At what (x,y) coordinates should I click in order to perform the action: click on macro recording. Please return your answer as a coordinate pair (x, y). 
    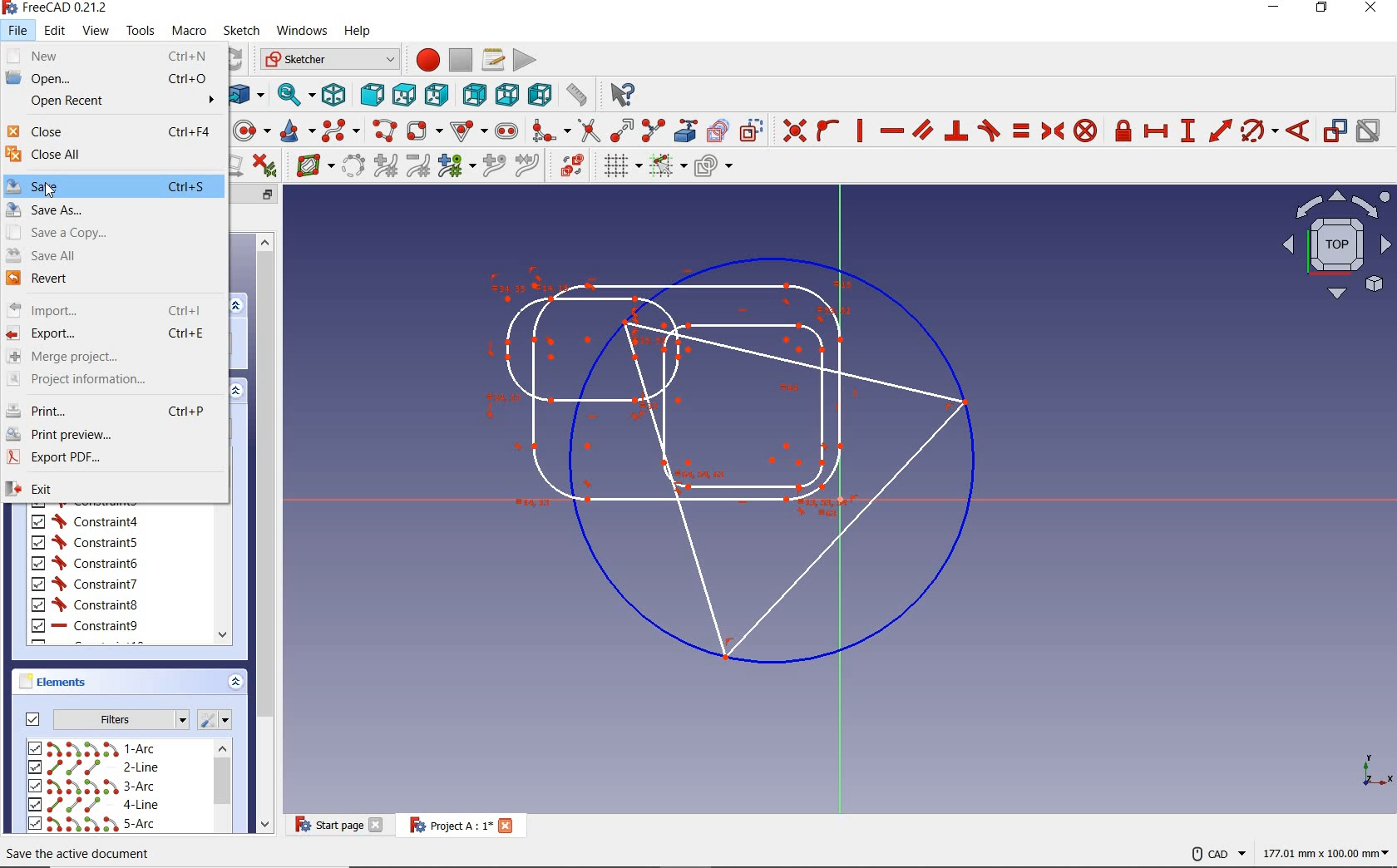
    Looking at the image, I should click on (422, 59).